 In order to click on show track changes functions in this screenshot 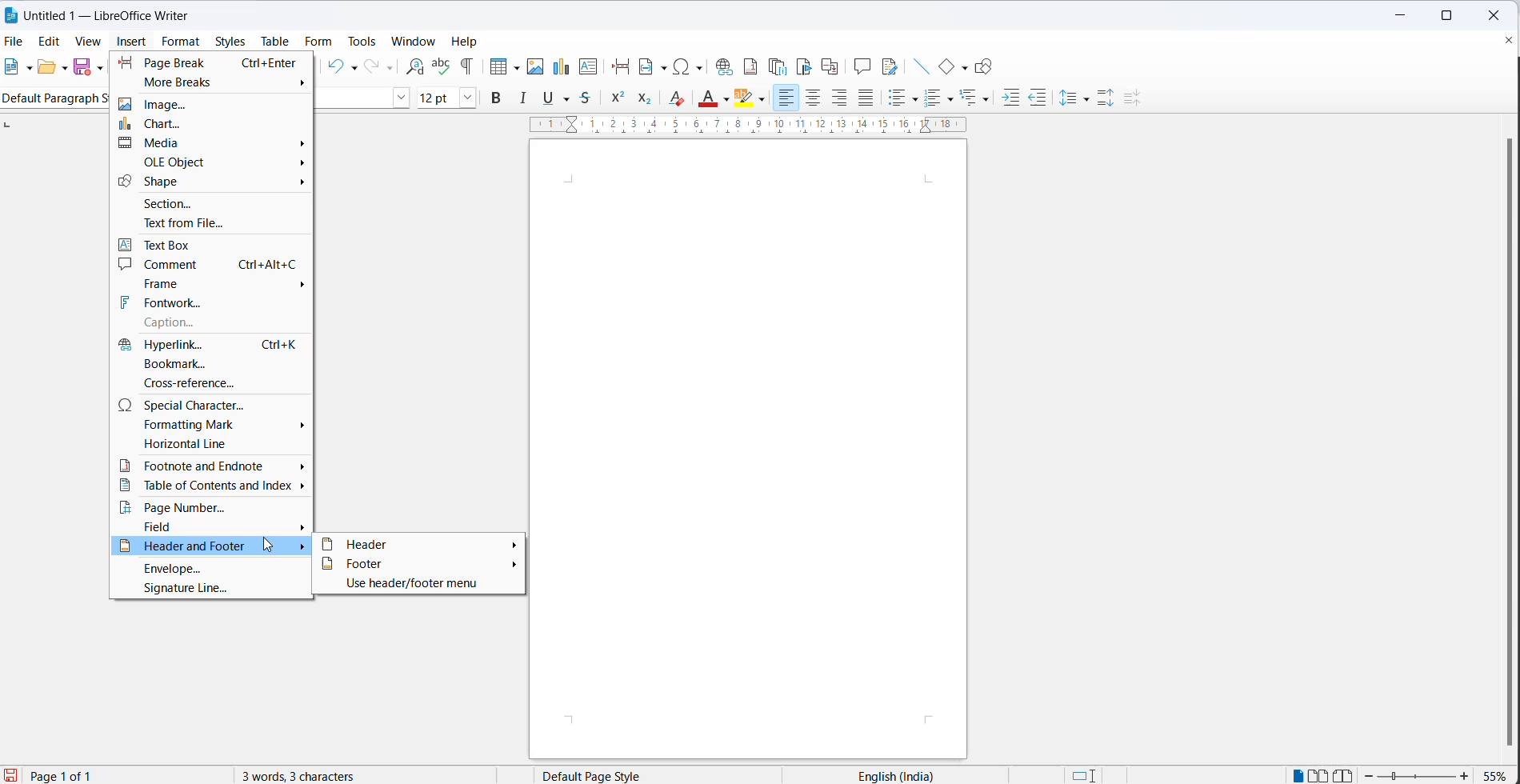, I will do `click(889, 66)`.